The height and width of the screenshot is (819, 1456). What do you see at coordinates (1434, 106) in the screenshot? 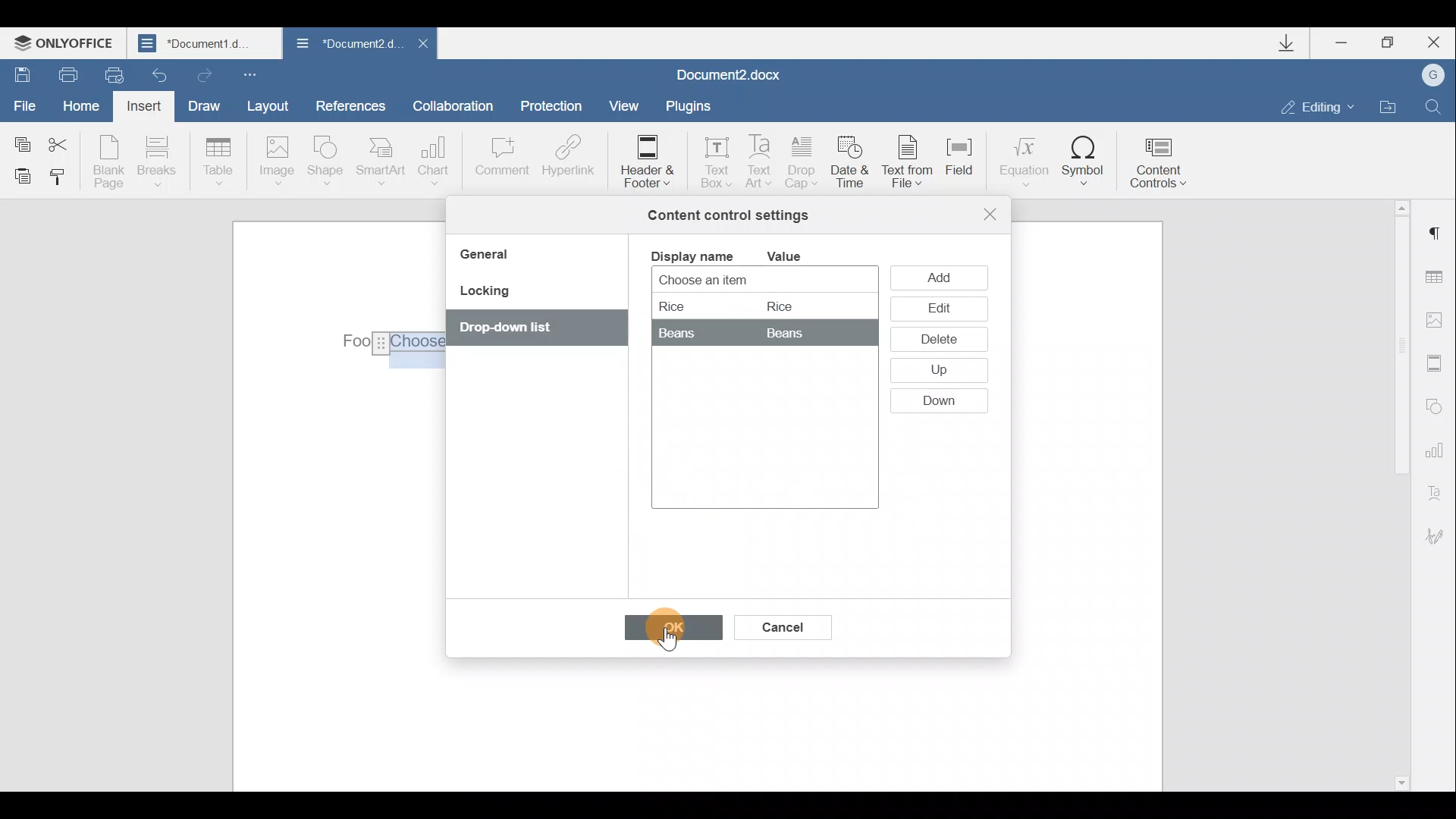
I see `Find` at bounding box center [1434, 106].